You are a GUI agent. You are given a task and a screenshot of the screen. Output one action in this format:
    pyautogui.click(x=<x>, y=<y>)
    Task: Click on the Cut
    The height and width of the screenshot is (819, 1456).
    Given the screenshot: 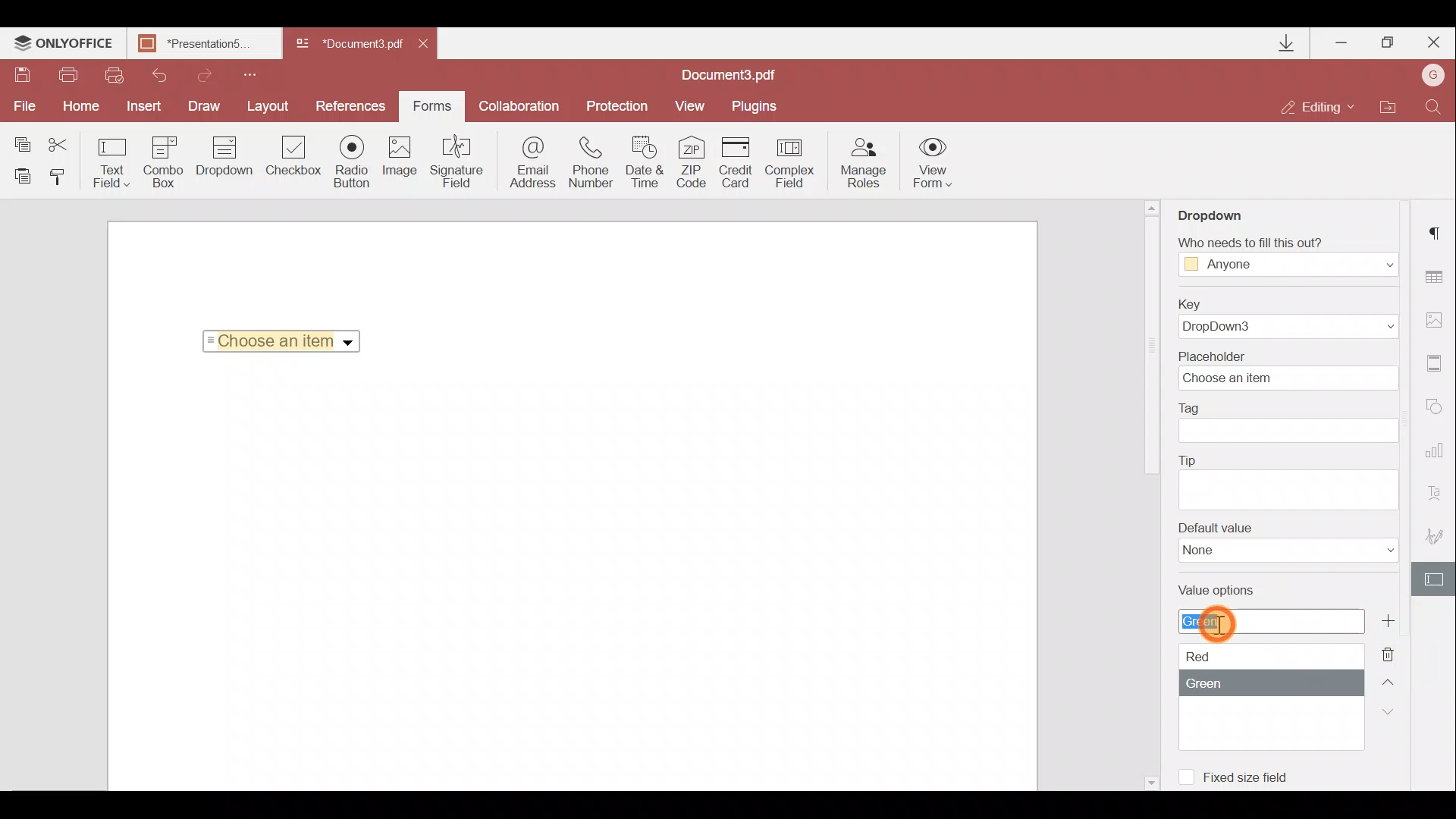 What is the action you would take?
    pyautogui.click(x=60, y=140)
    